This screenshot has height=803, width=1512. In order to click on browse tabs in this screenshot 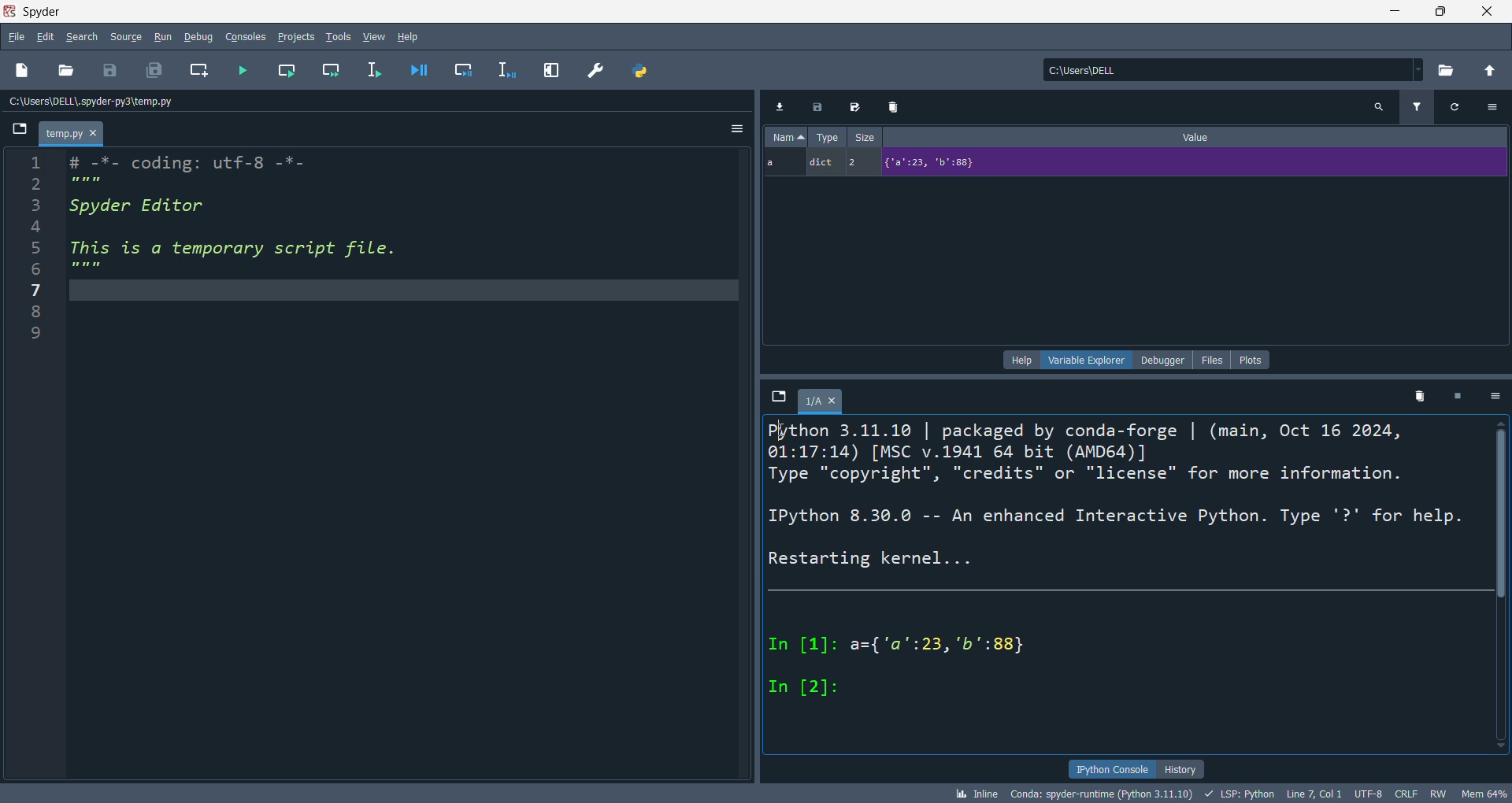, I will do `click(20, 132)`.